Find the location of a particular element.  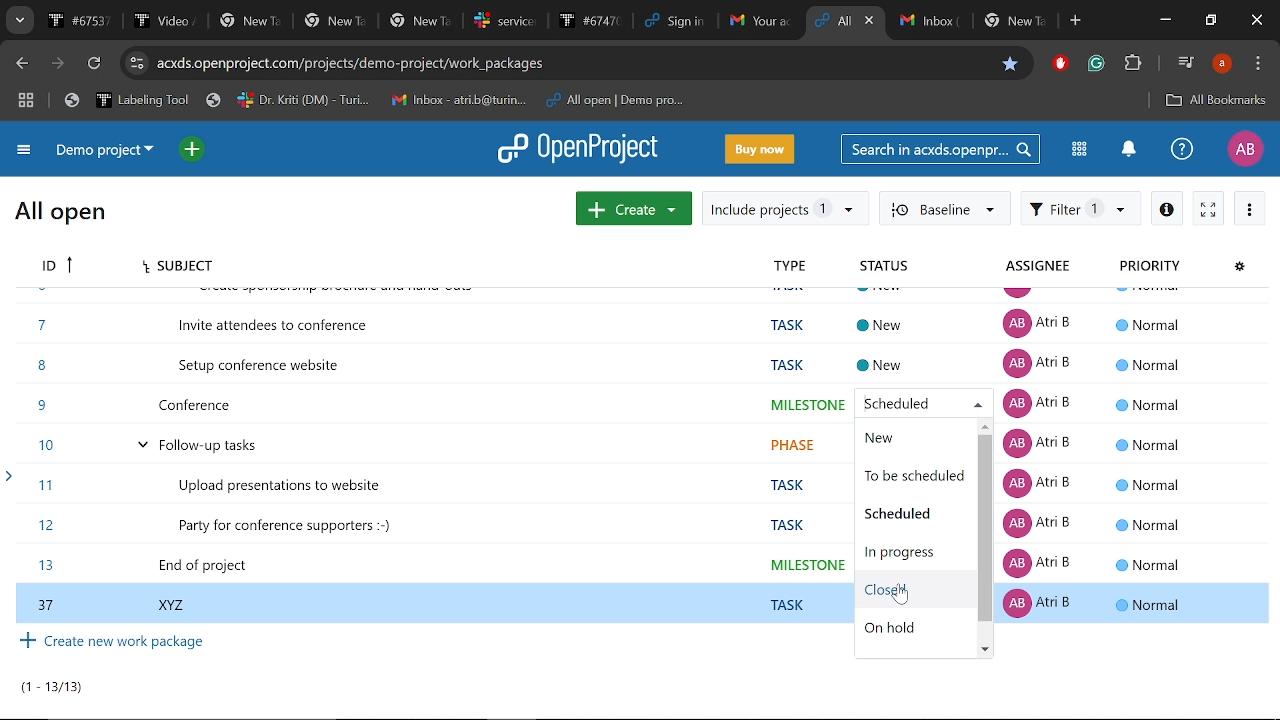

Search tabs is located at coordinates (18, 20).